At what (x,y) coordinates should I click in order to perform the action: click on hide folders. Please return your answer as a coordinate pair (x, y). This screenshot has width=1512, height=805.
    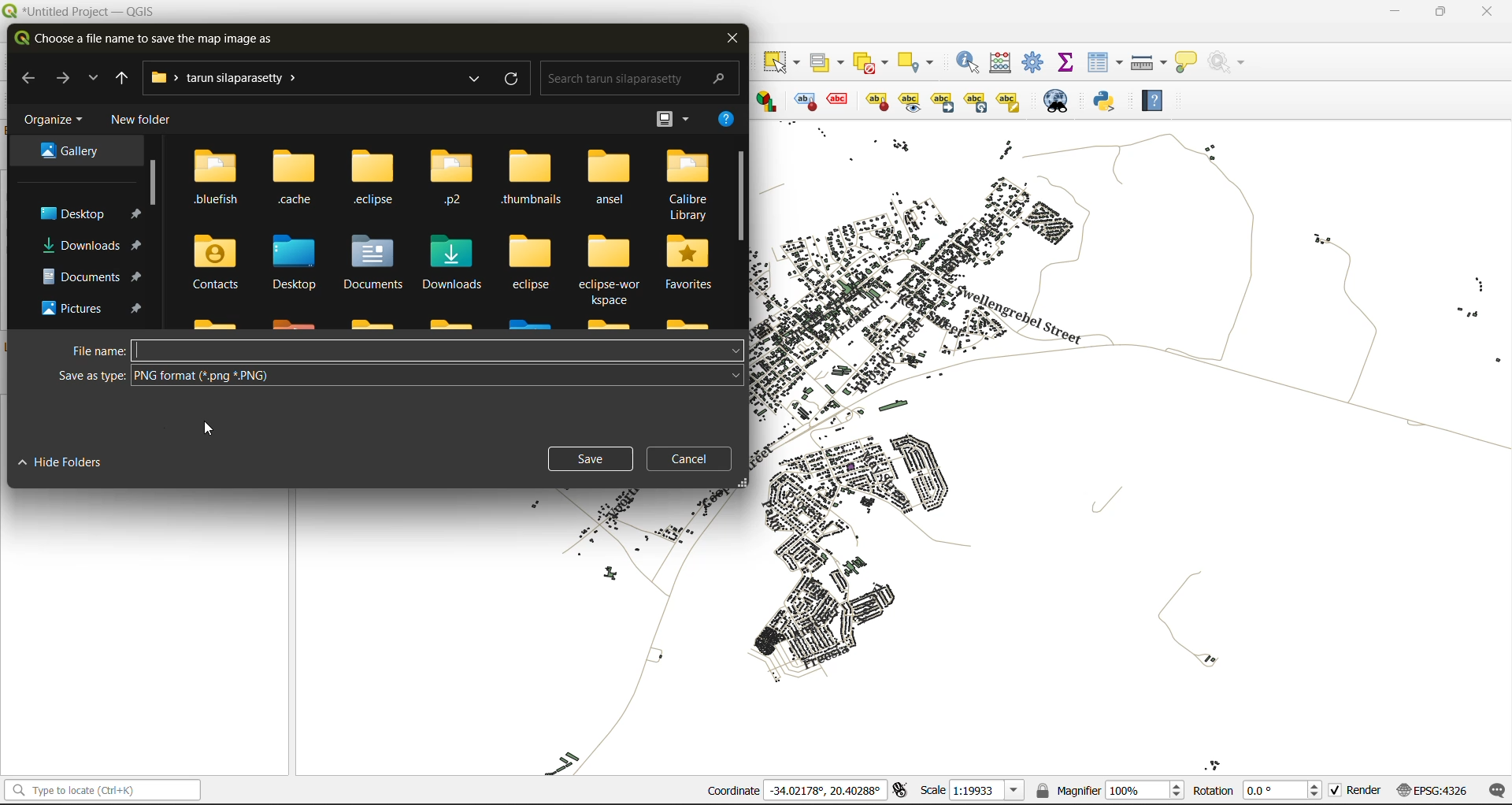
    Looking at the image, I should click on (72, 465).